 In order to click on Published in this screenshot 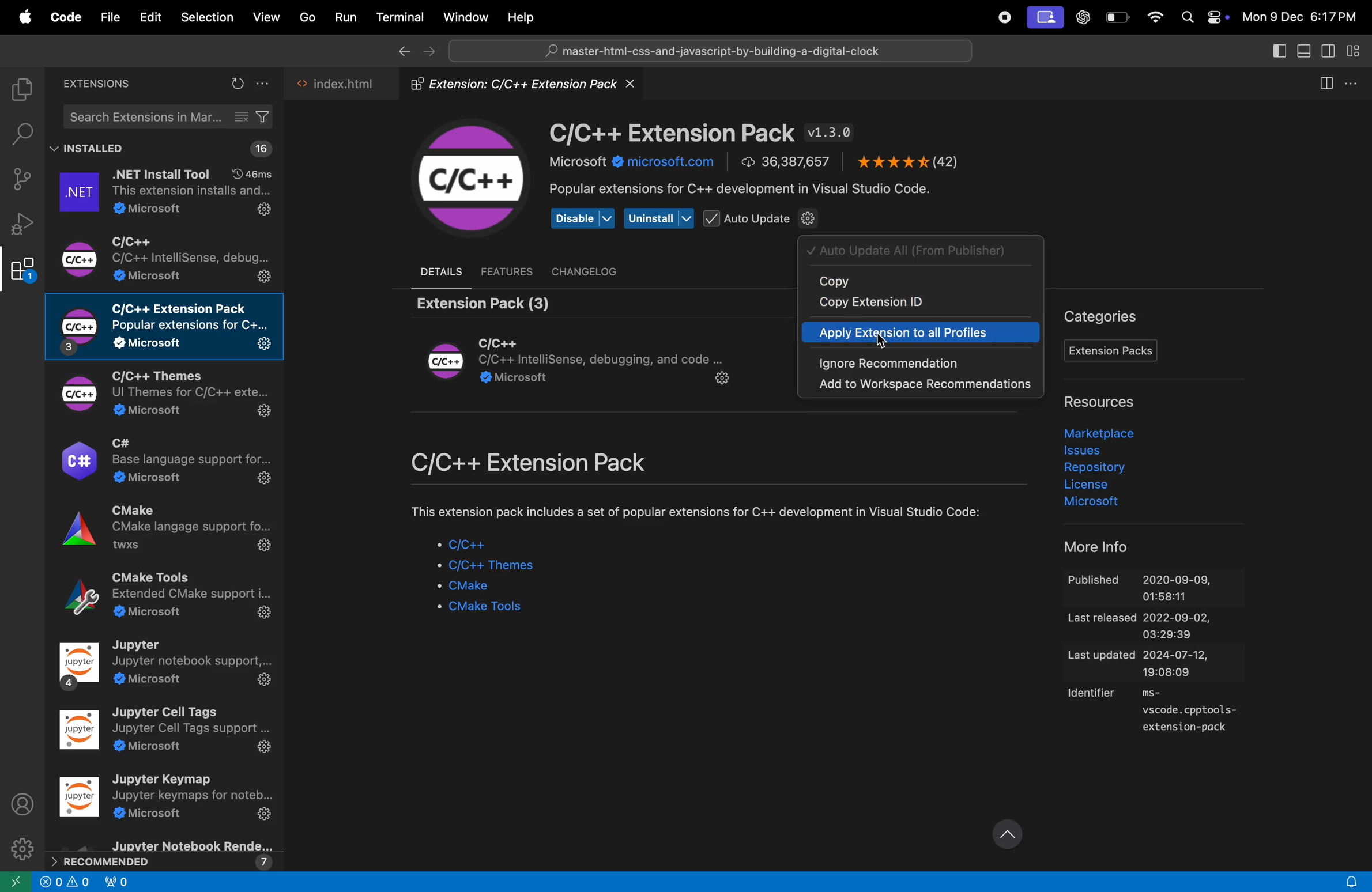, I will do `click(1159, 587)`.